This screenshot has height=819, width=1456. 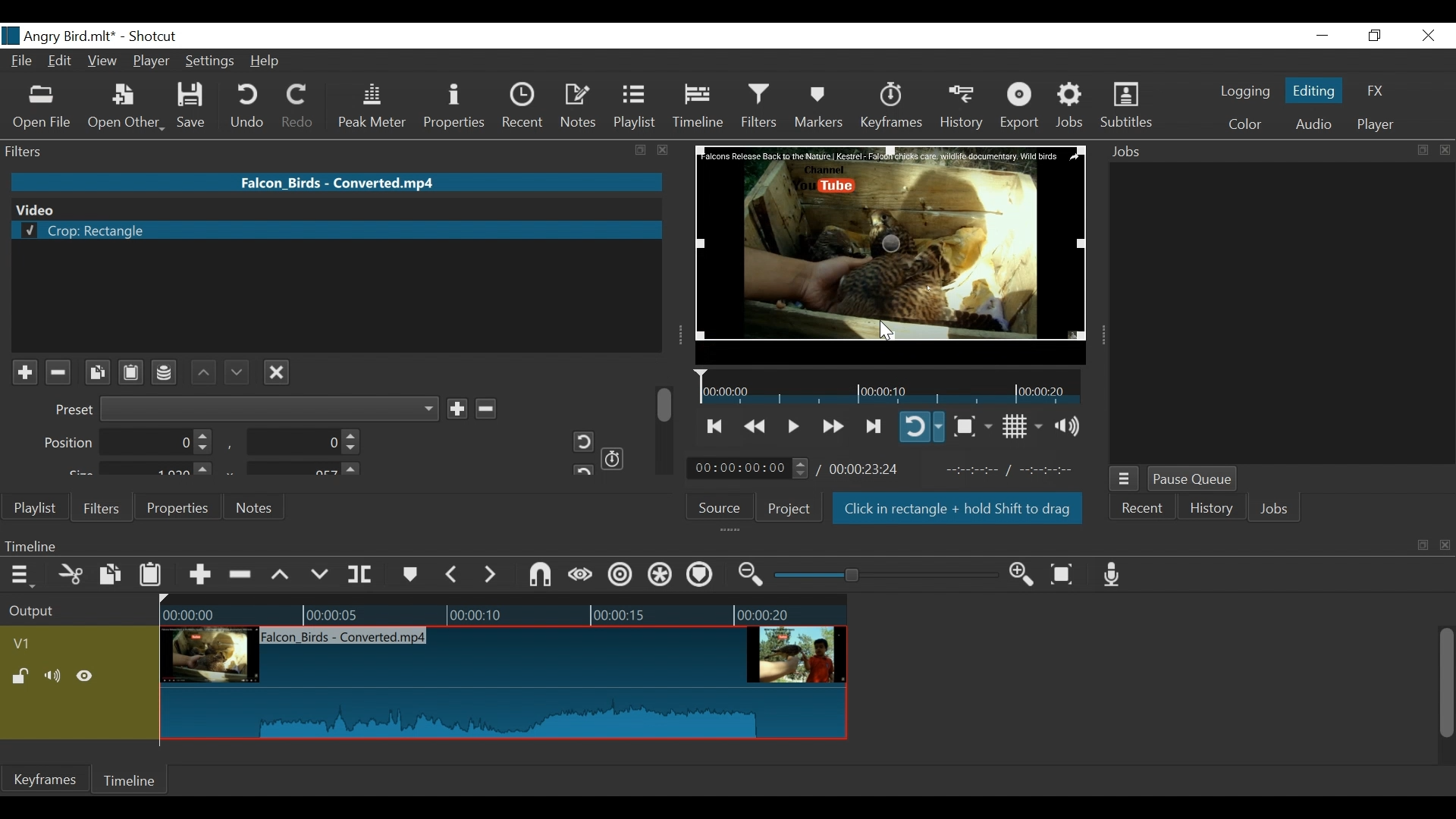 What do you see at coordinates (623, 577) in the screenshot?
I see `Ripple` at bounding box center [623, 577].